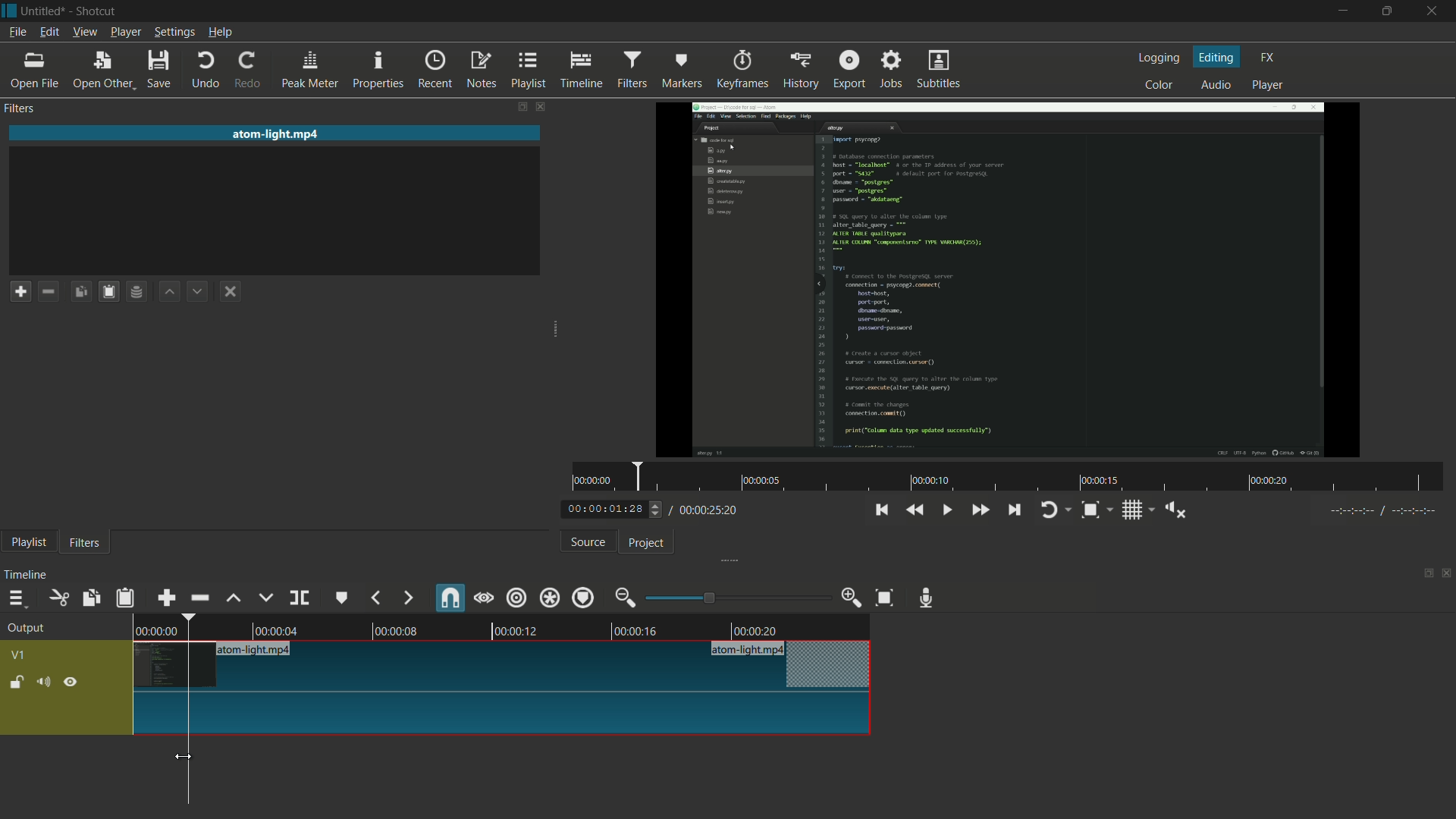  I want to click on lock, so click(17, 683).